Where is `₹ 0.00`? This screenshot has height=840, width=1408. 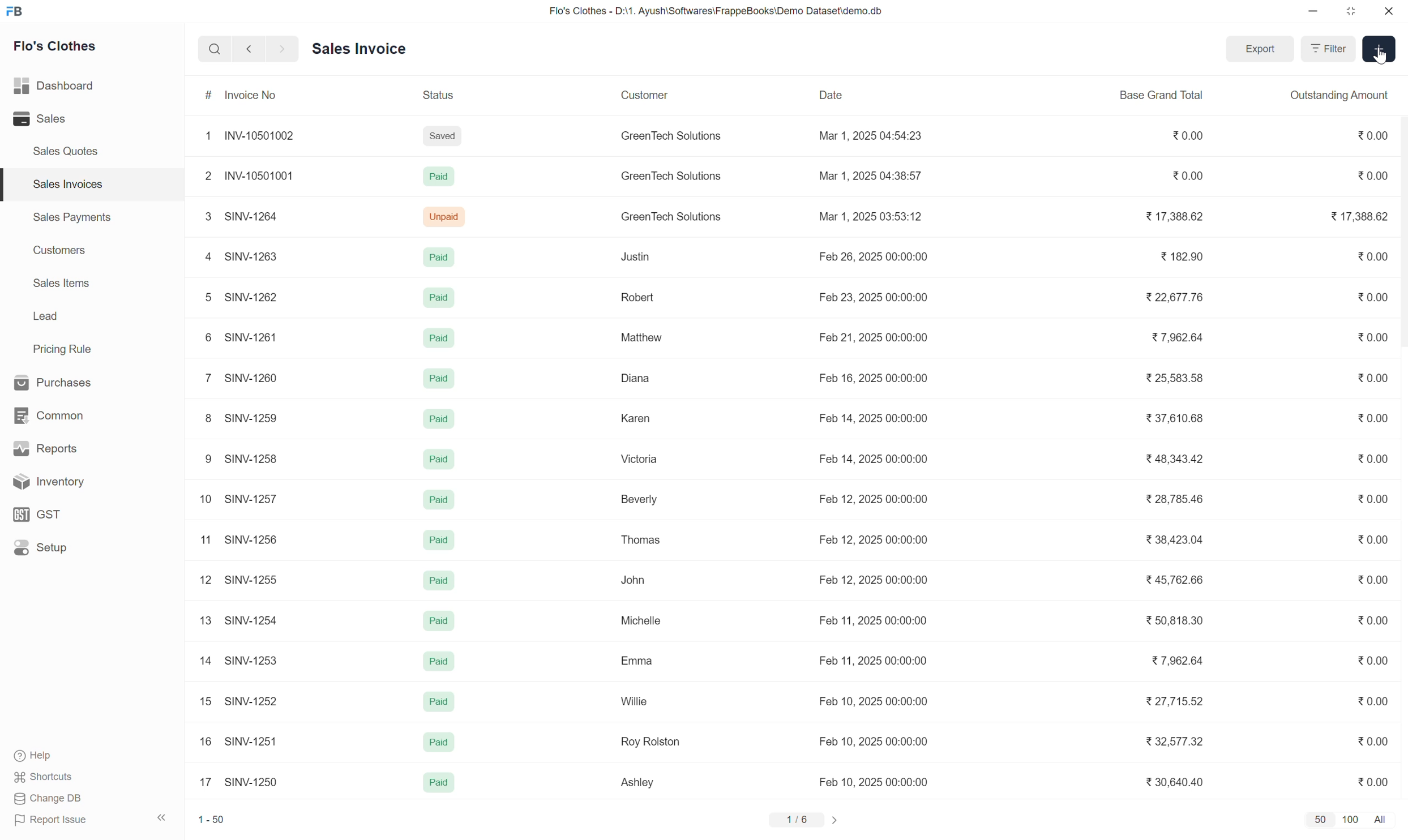 ₹ 0.00 is located at coordinates (1366, 136).